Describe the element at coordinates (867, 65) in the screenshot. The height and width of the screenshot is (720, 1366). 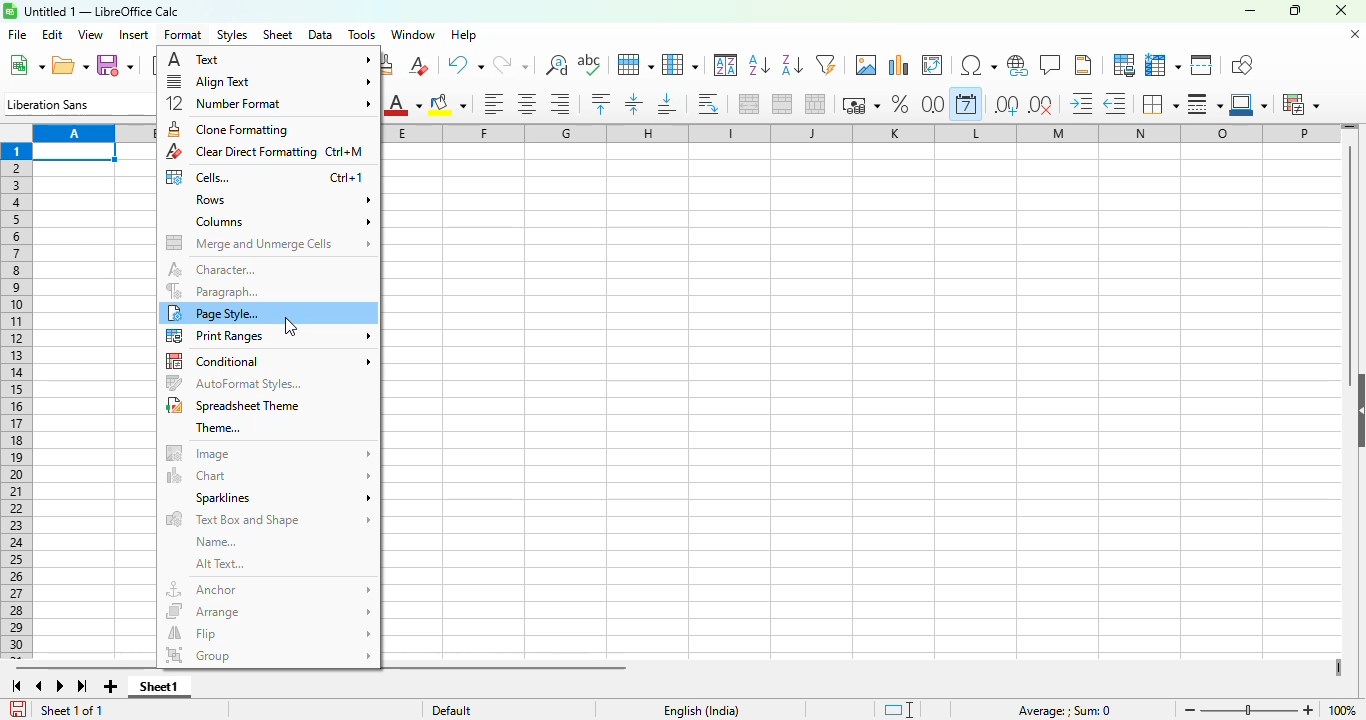
I see `insert image` at that location.